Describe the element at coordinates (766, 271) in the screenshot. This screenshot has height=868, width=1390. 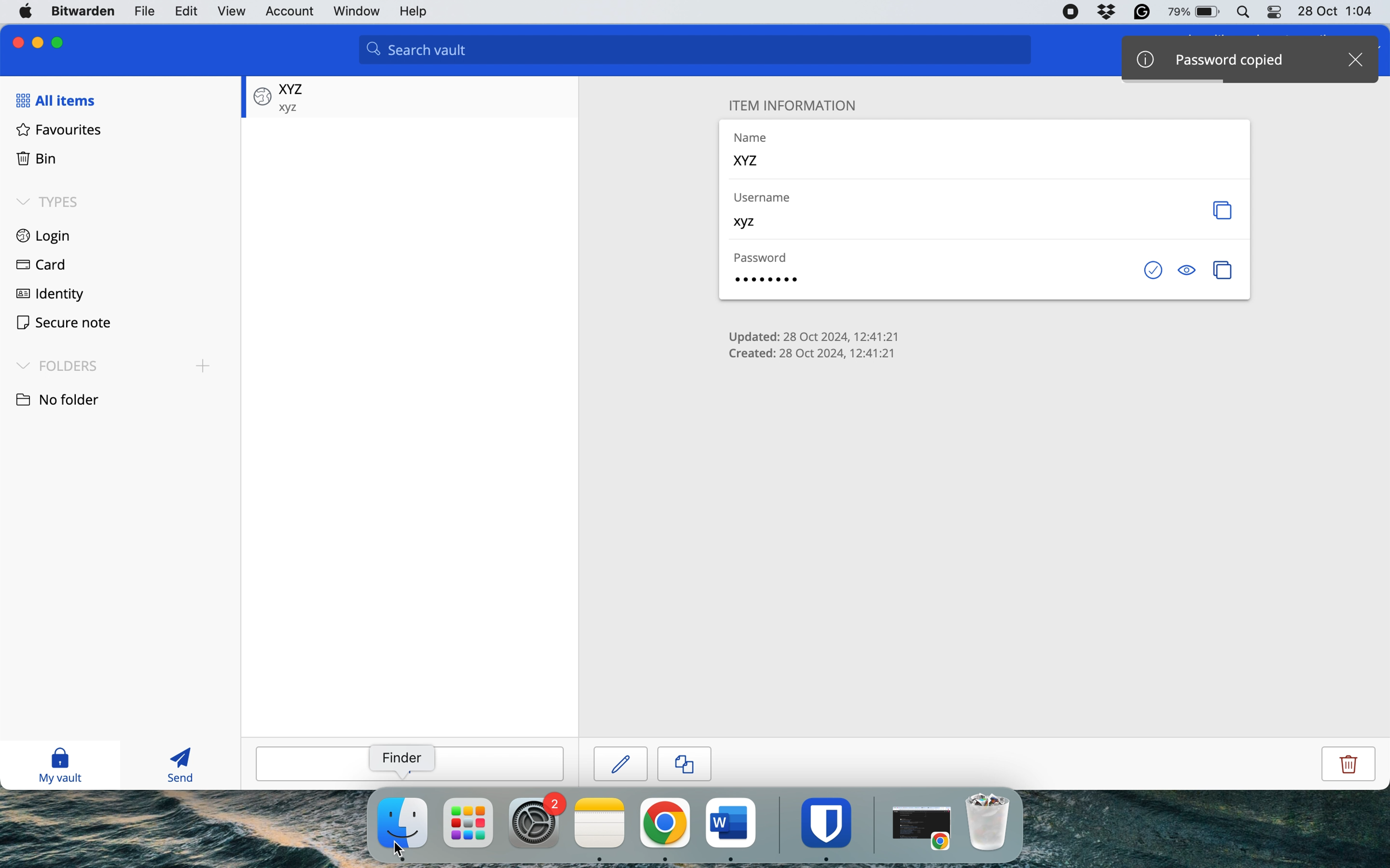
I see `password` at that location.